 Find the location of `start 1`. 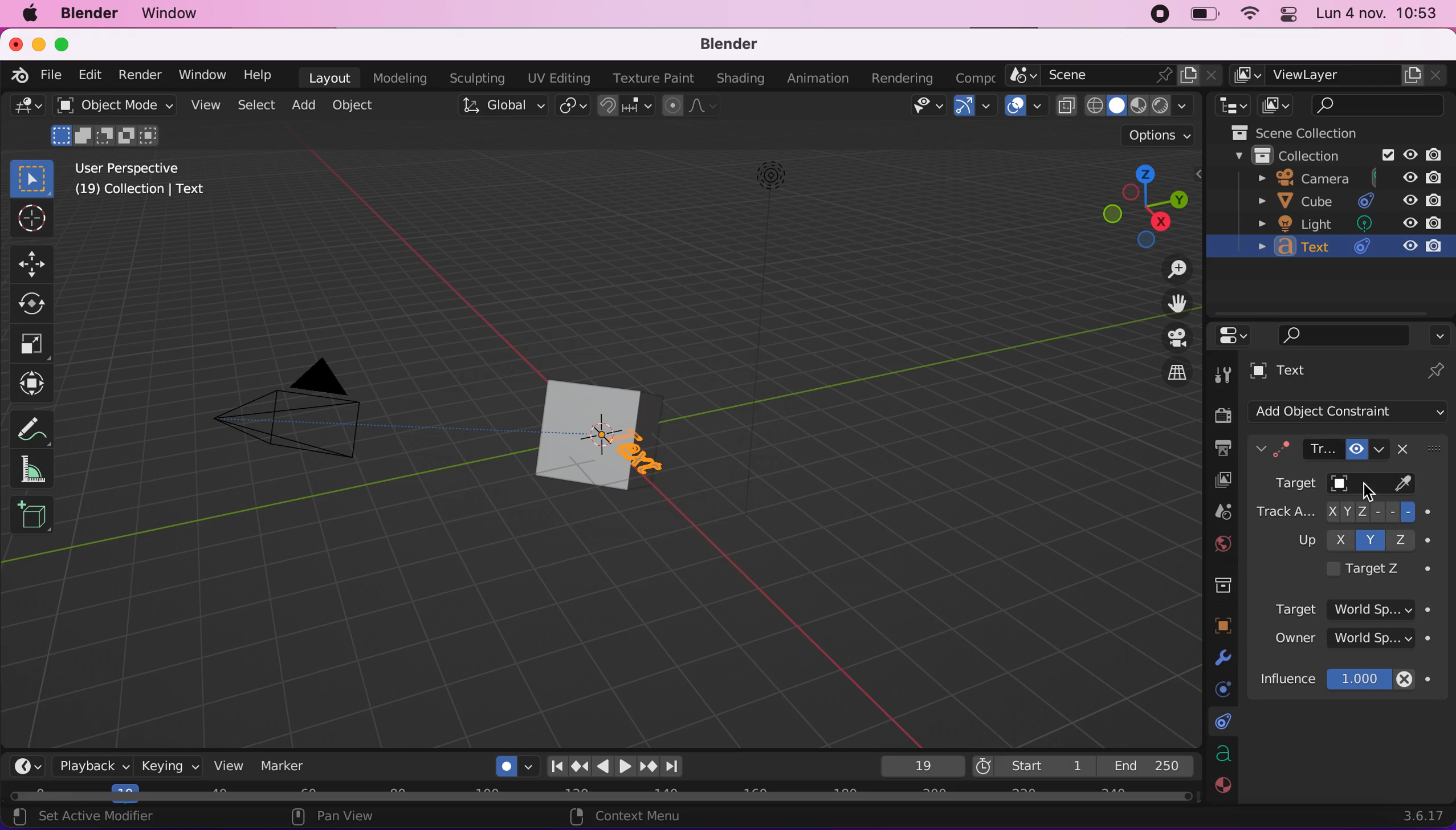

start 1 is located at coordinates (1029, 766).